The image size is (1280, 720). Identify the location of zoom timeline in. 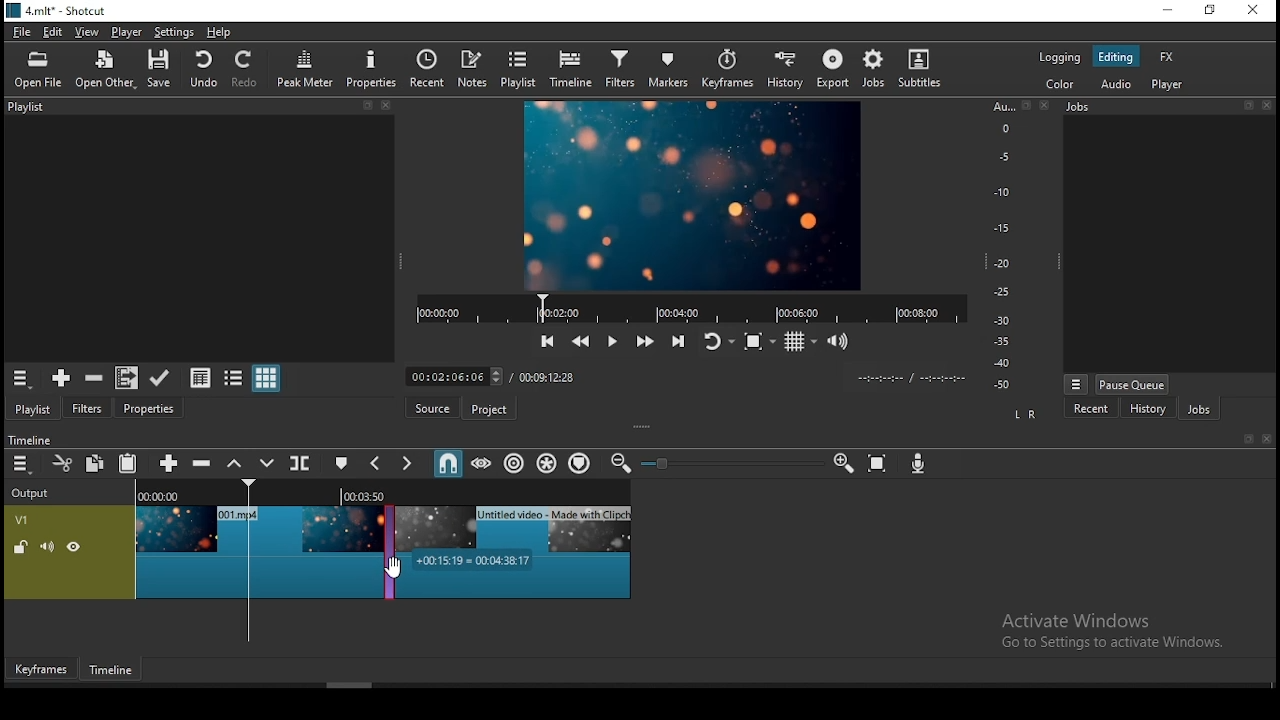
(843, 461).